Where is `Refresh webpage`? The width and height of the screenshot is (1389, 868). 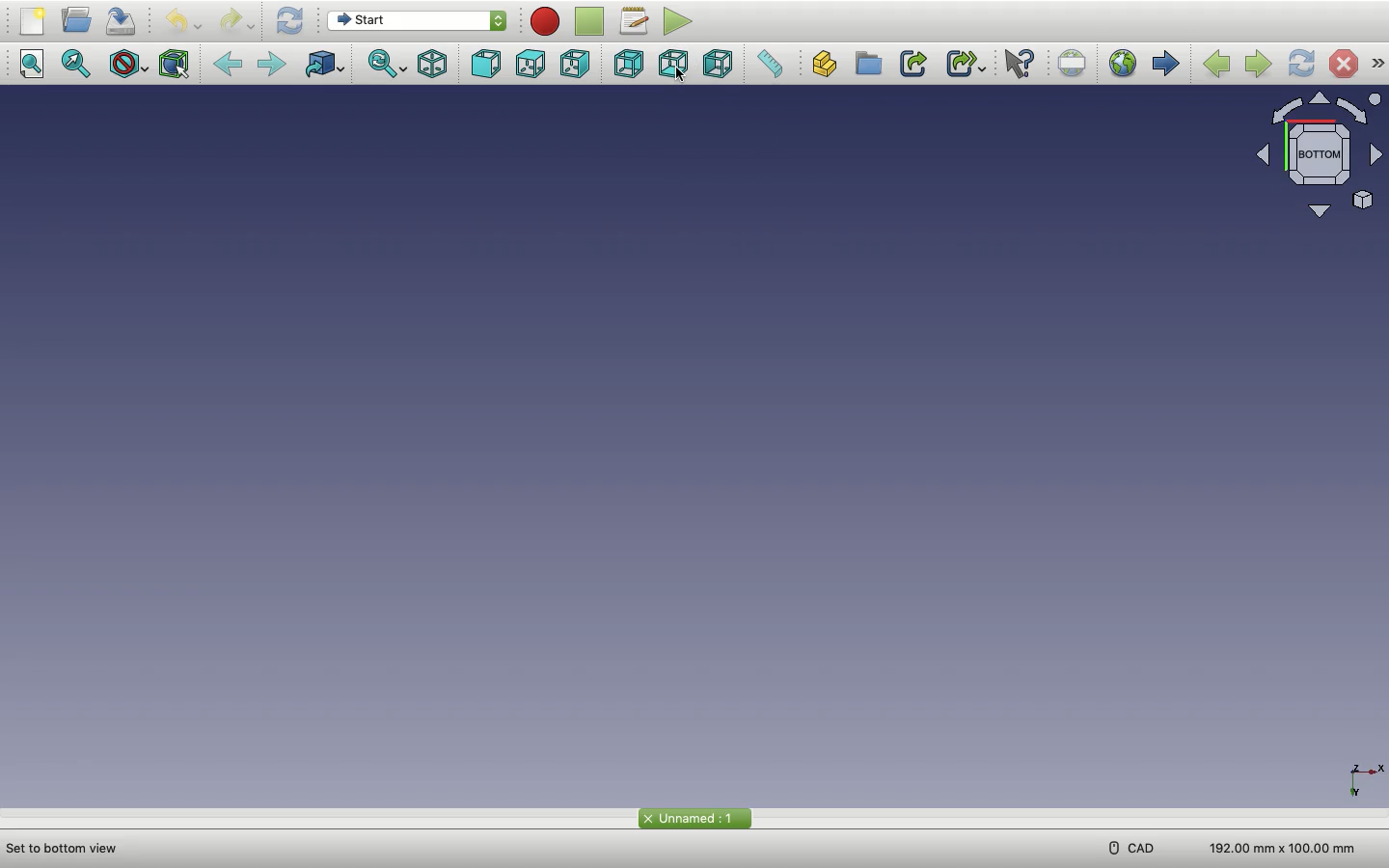 Refresh webpage is located at coordinates (1302, 64).